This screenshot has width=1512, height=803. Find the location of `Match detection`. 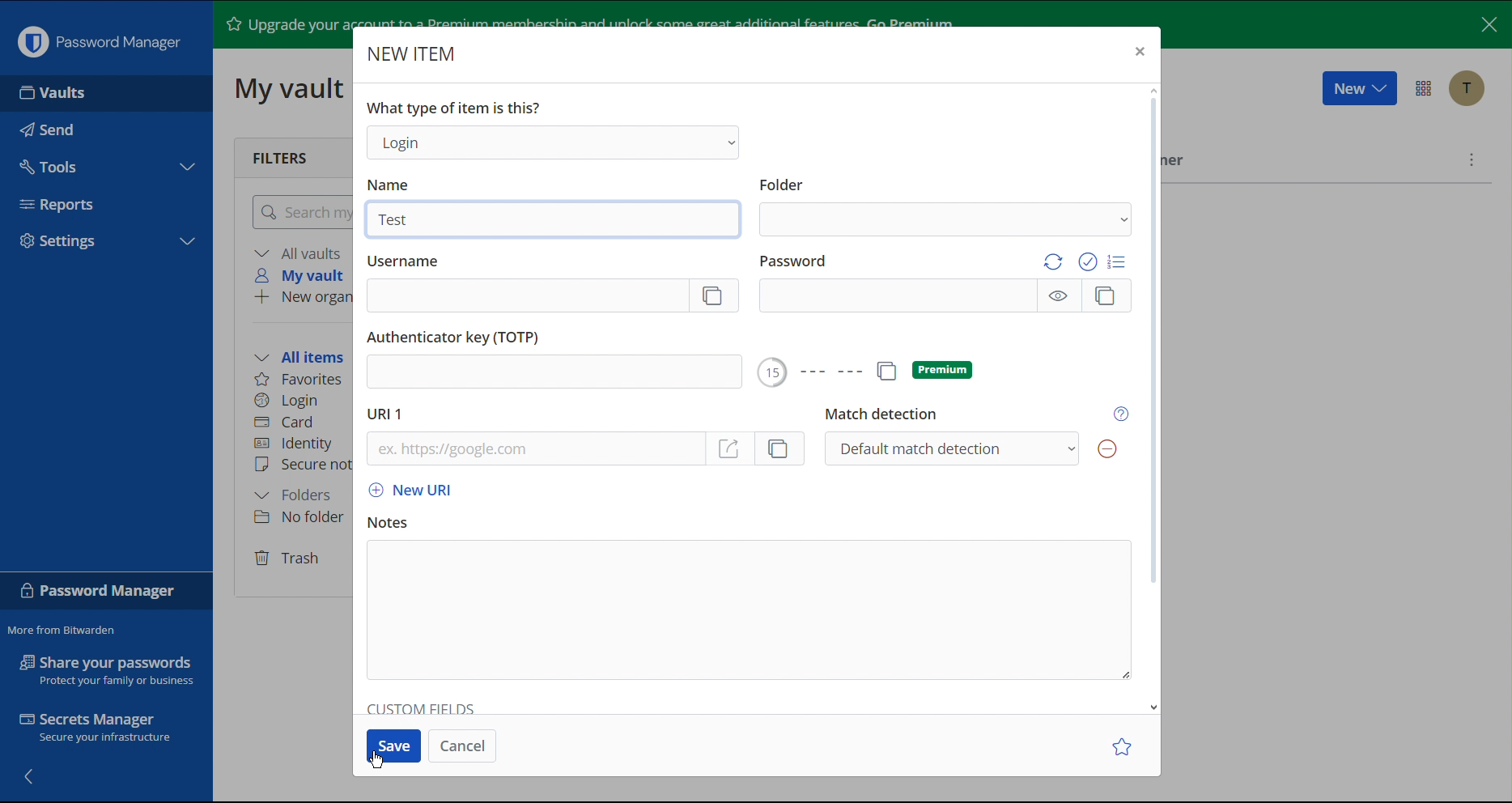

Match detection is located at coordinates (979, 435).